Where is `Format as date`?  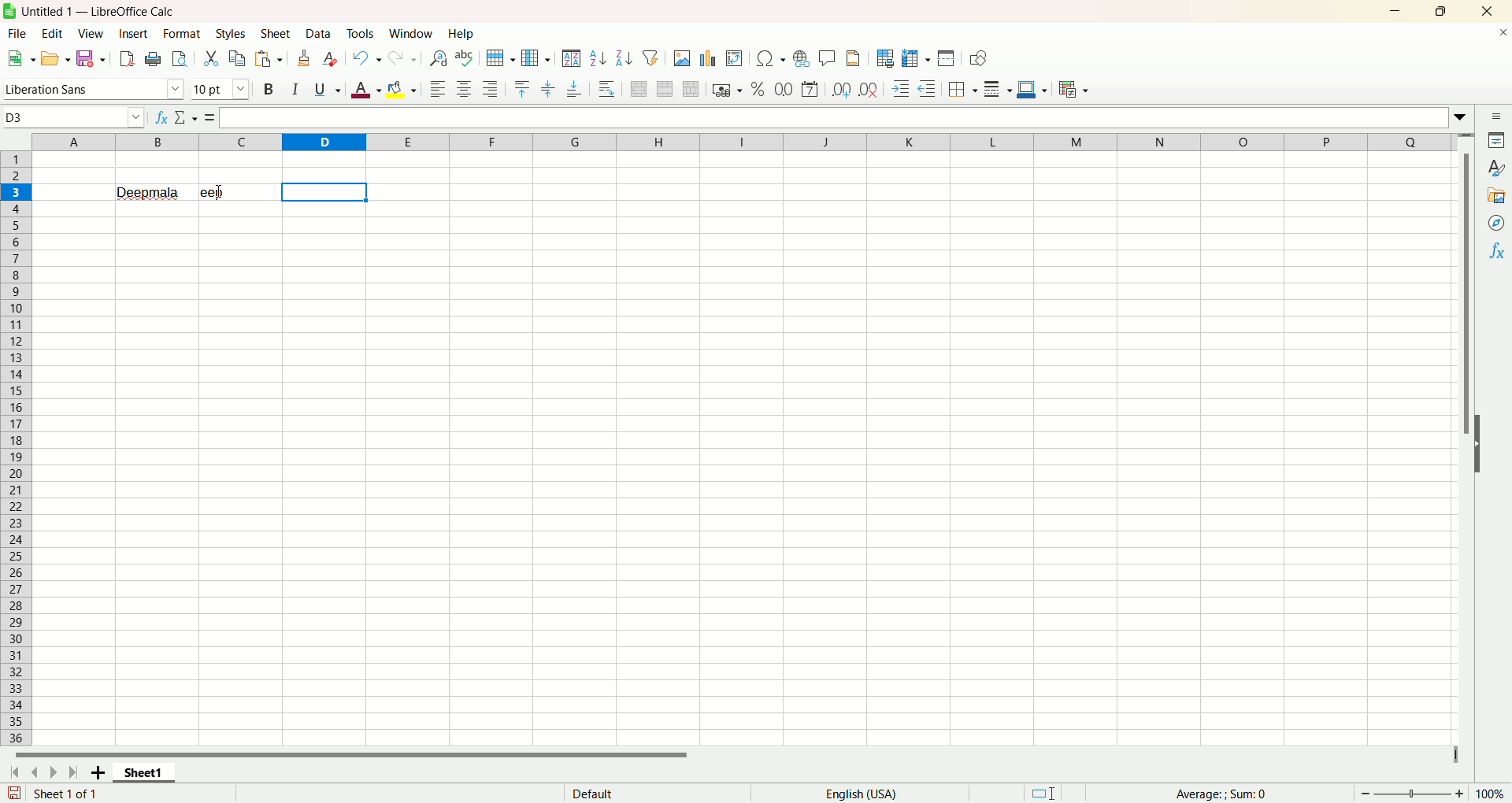
Format as date is located at coordinates (810, 90).